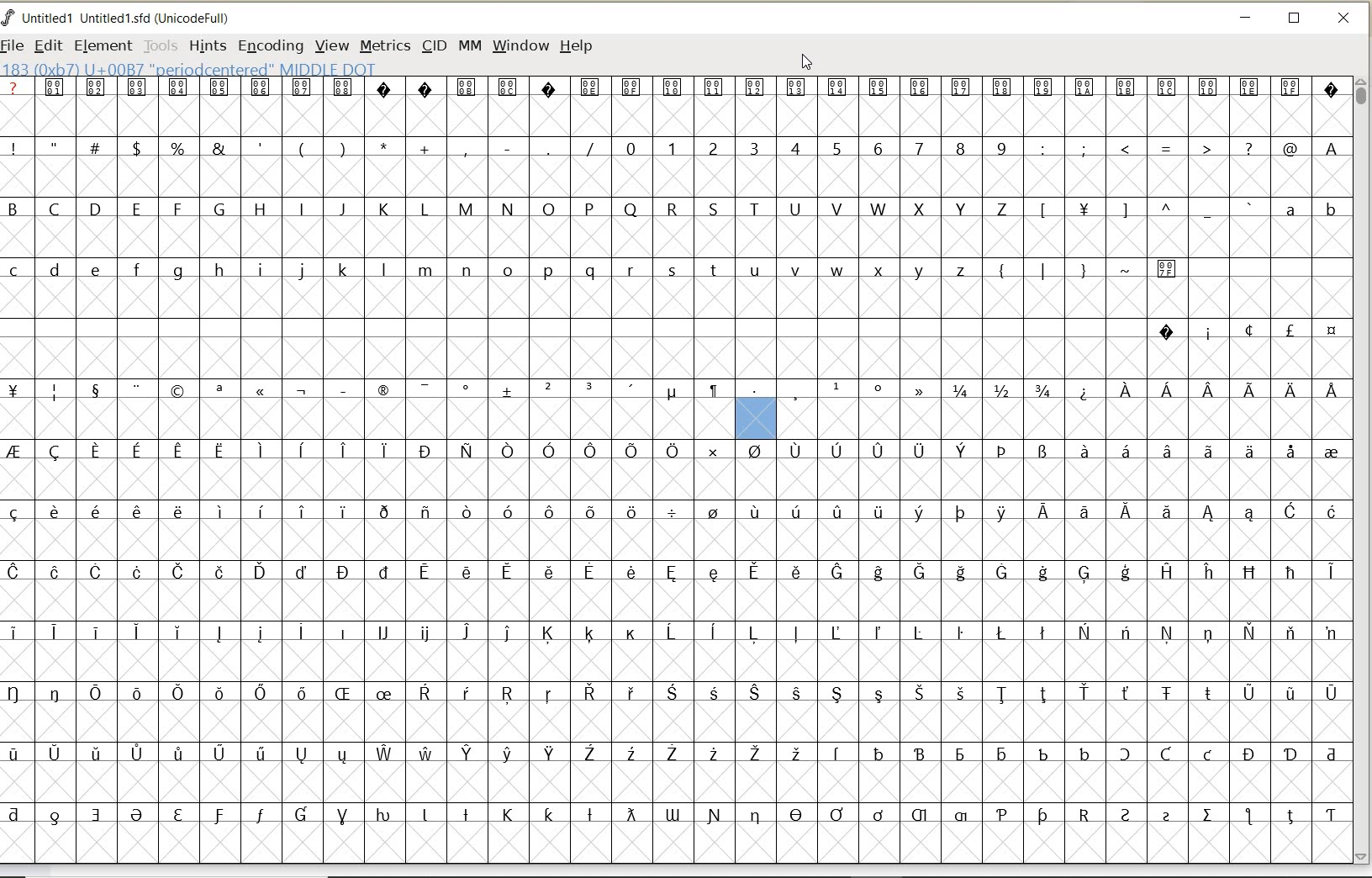 This screenshot has height=878, width=1372. I want to click on RESTORE, so click(1295, 21).